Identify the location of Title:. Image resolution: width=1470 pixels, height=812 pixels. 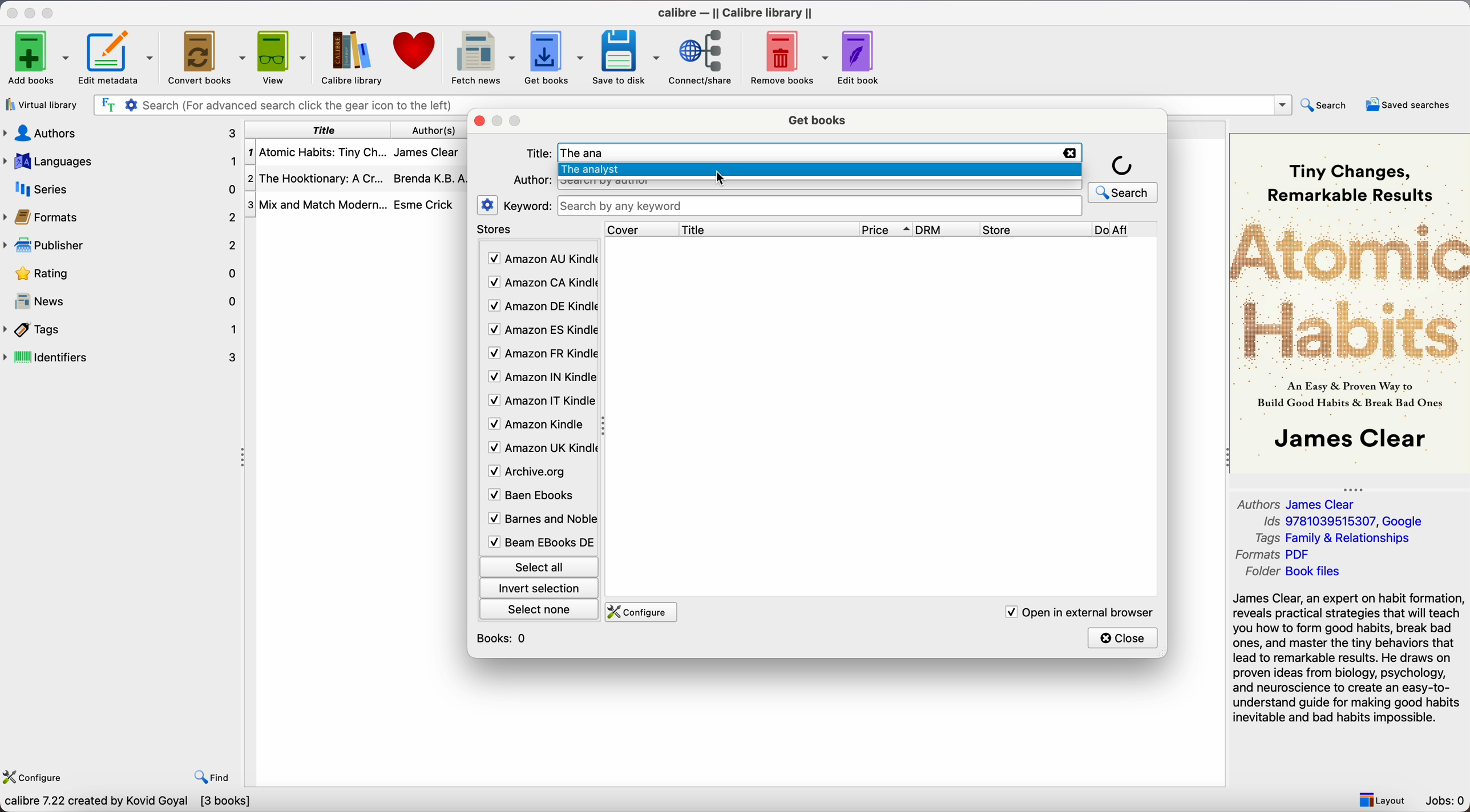
(540, 153).